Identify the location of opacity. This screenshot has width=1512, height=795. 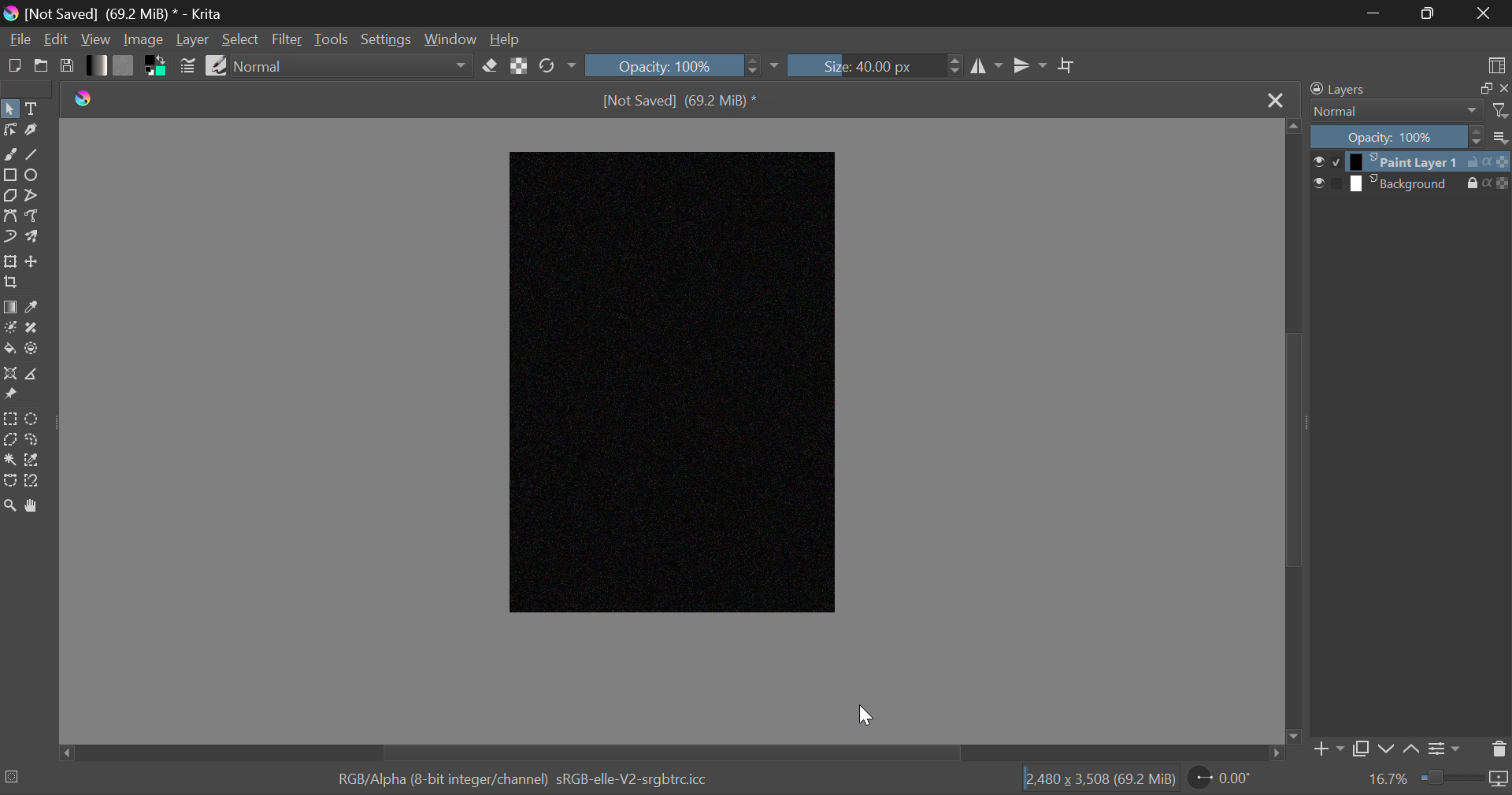
(1499, 182).